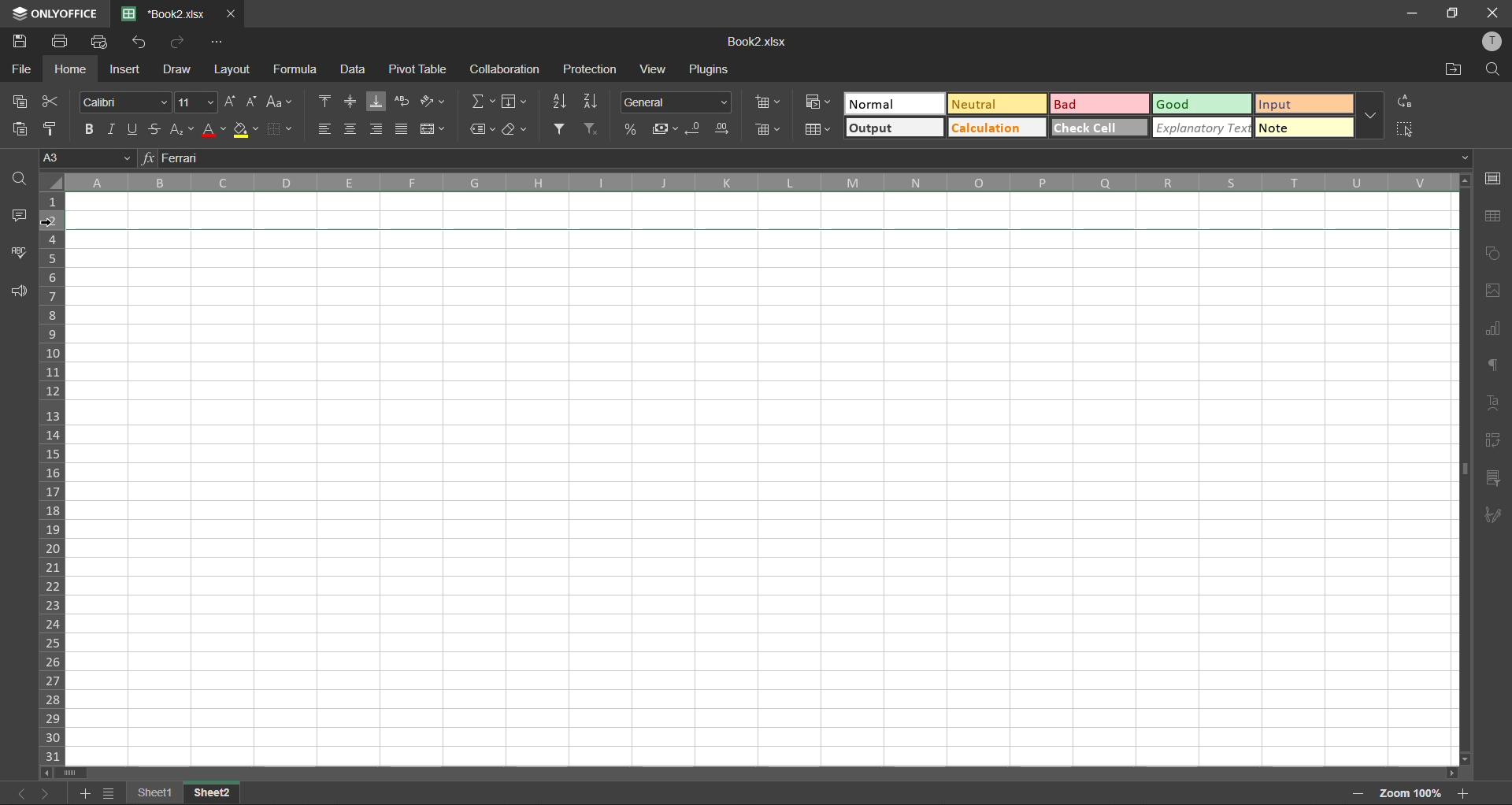  Describe the element at coordinates (1405, 128) in the screenshot. I see `select all` at that location.